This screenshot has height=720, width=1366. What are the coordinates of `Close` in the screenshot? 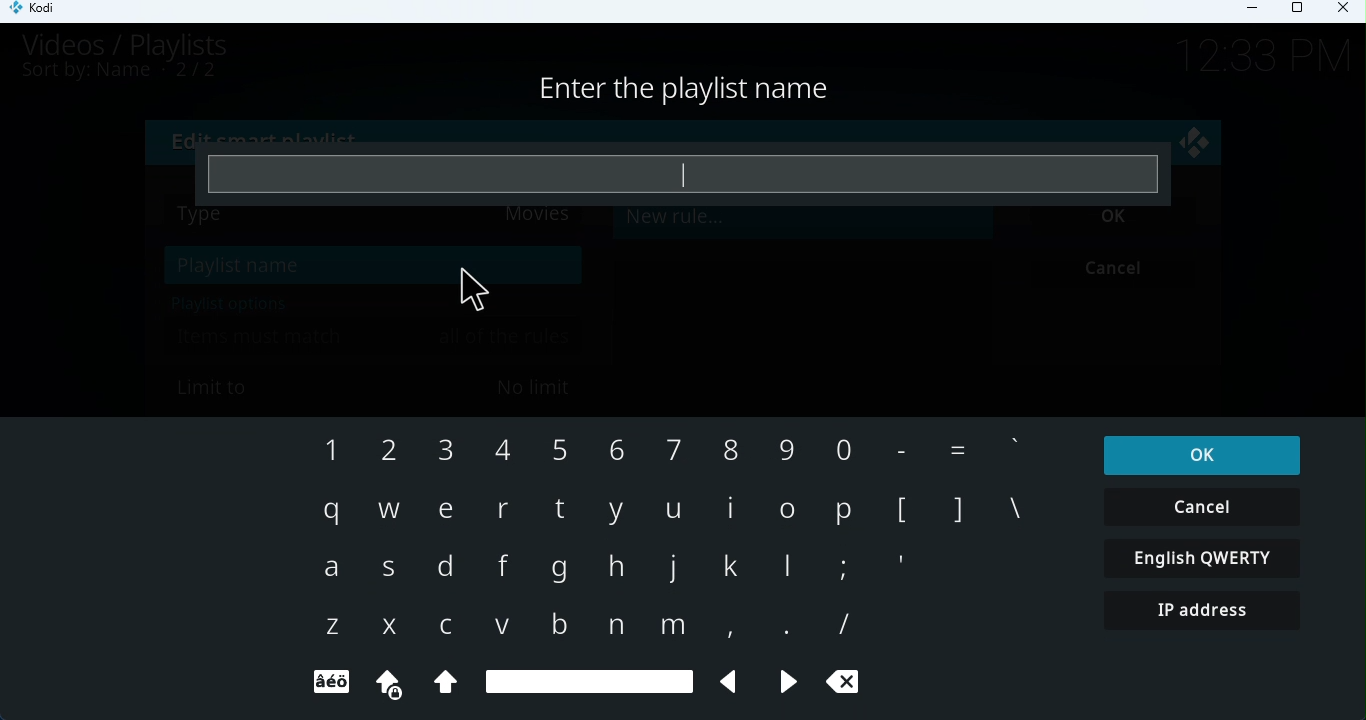 It's located at (1346, 12).